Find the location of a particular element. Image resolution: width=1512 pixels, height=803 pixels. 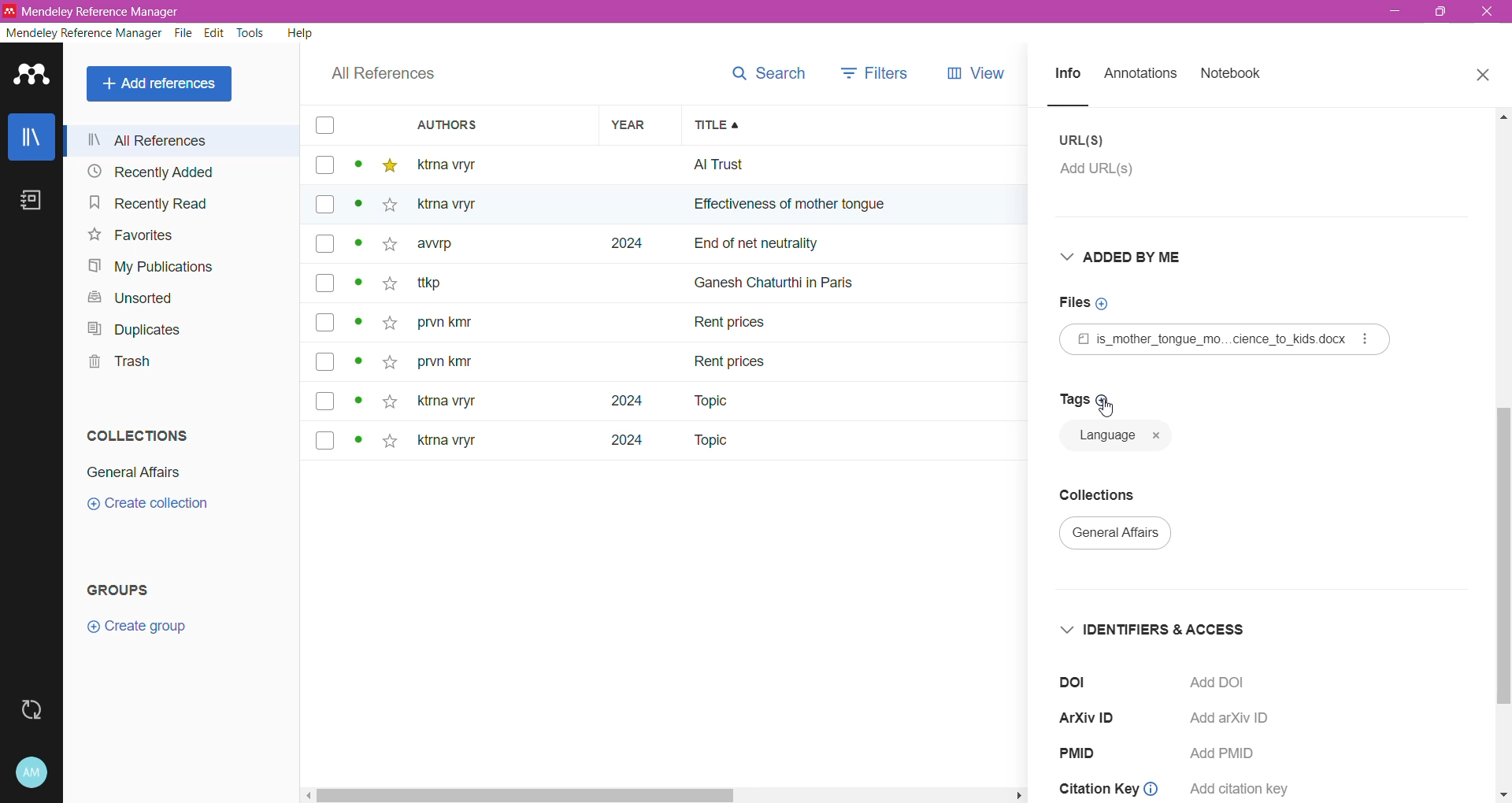

2024 is located at coordinates (613, 401).